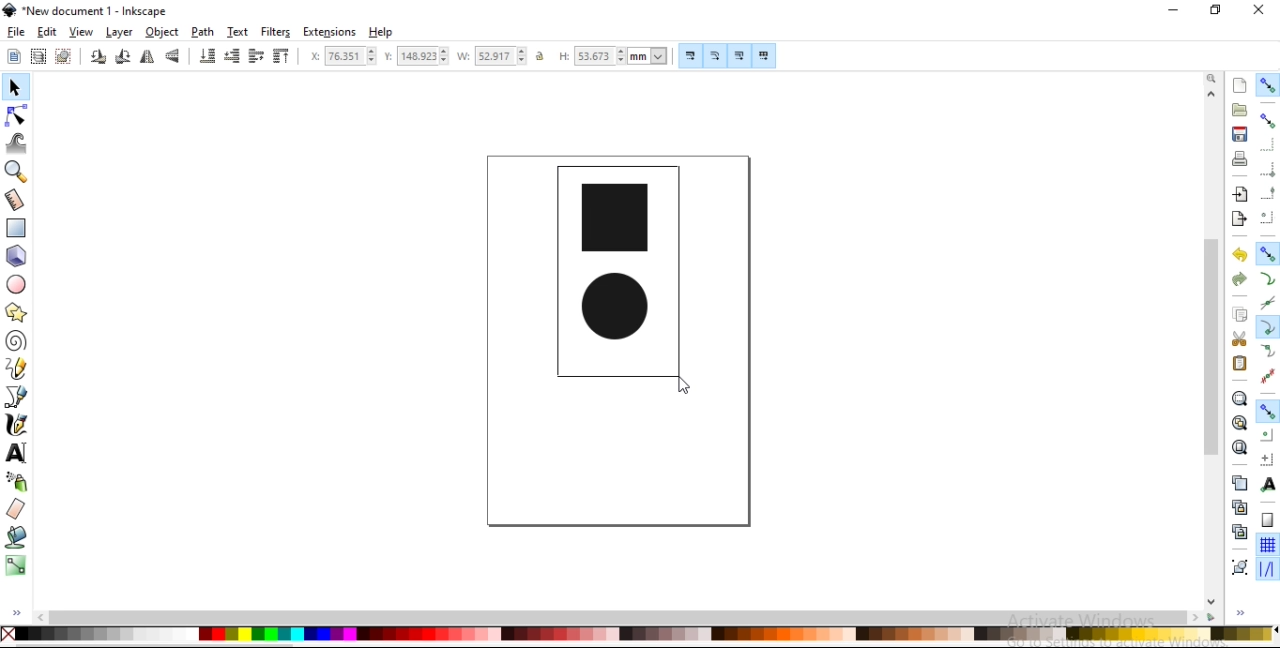  Describe the element at coordinates (618, 616) in the screenshot. I see `scrollbar` at that location.